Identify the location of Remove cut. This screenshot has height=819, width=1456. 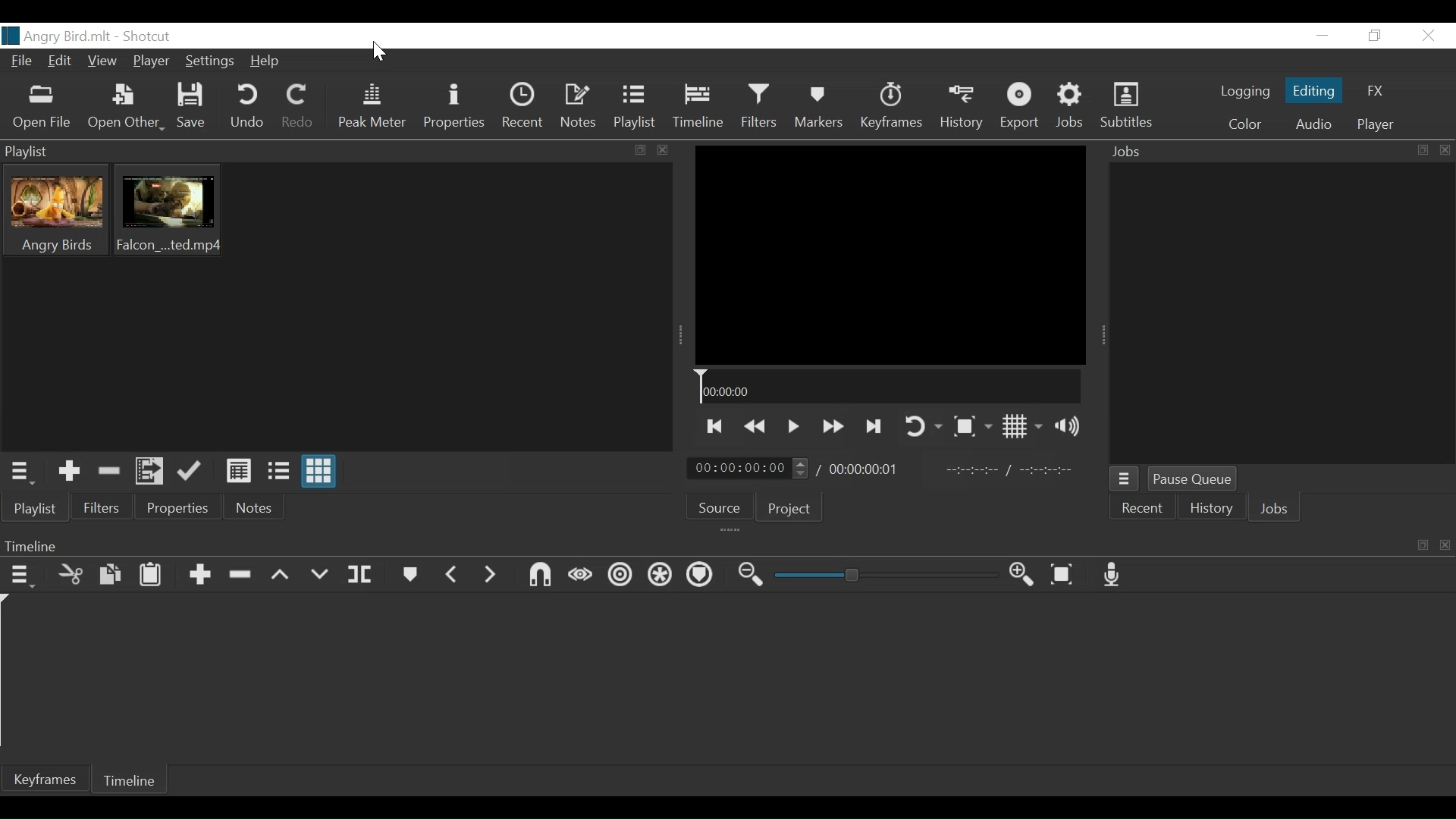
(110, 471).